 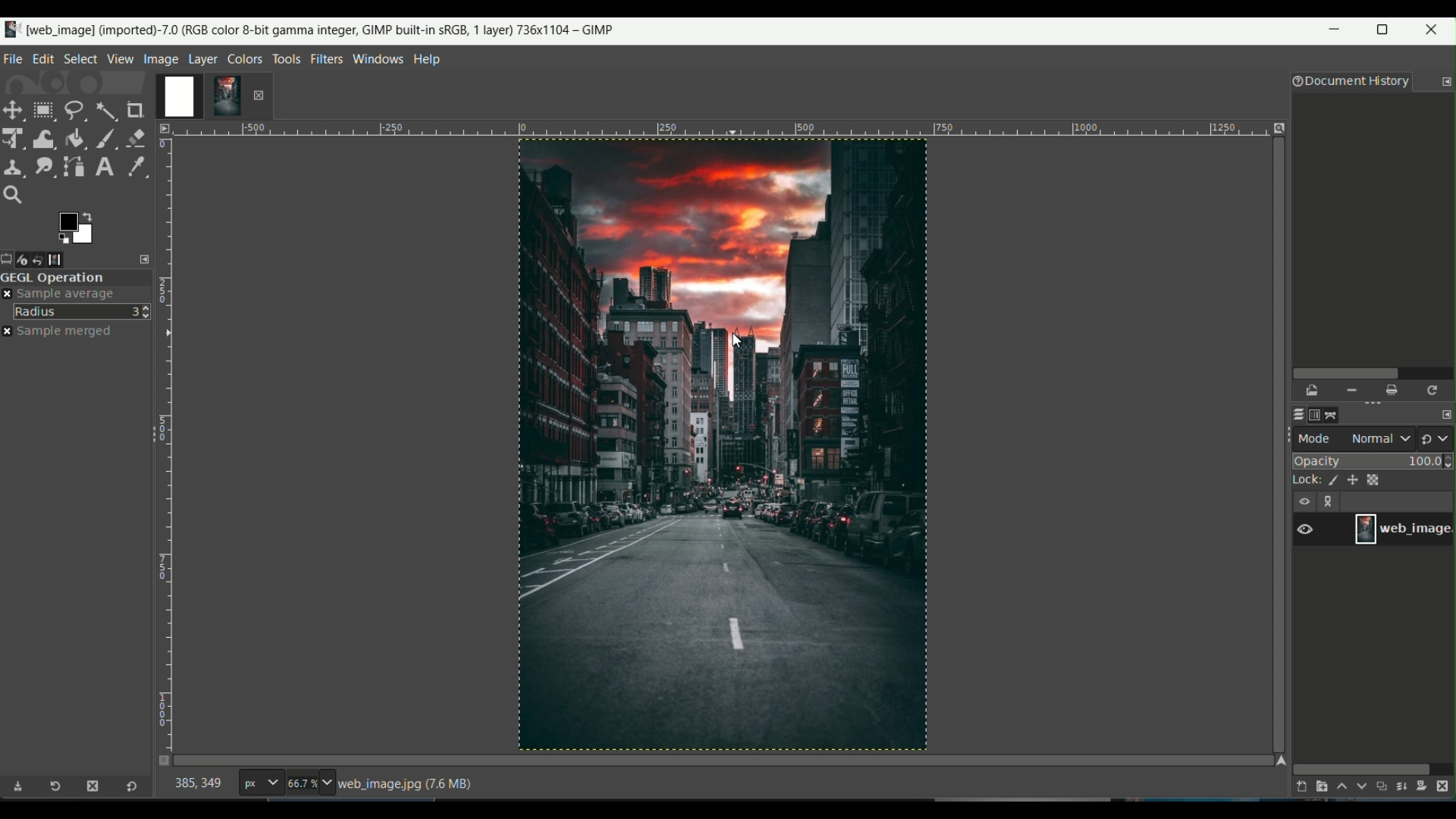 I want to click on tools tab, so click(x=286, y=58).